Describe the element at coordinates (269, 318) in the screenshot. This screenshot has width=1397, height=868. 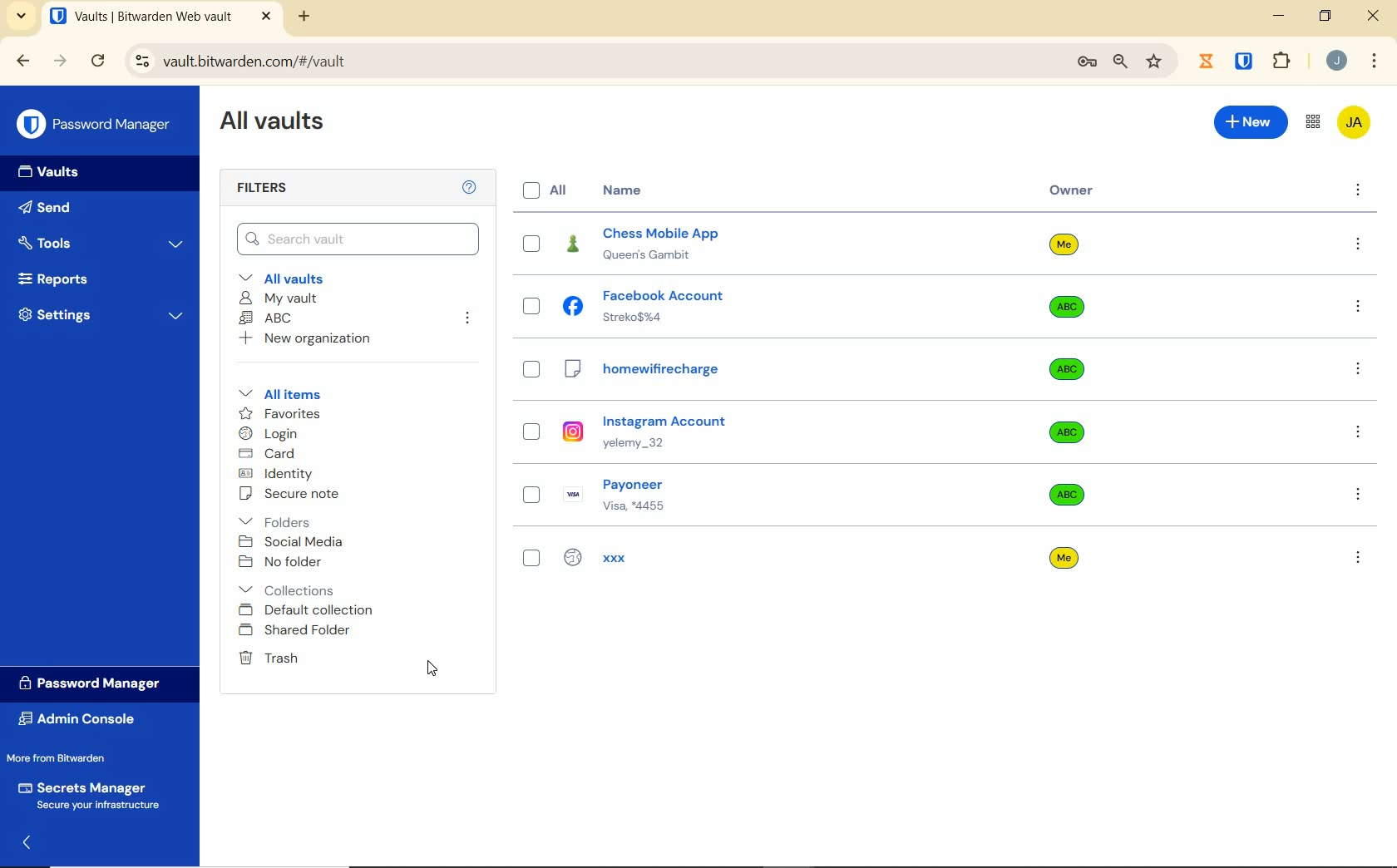
I see `ABC` at that location.